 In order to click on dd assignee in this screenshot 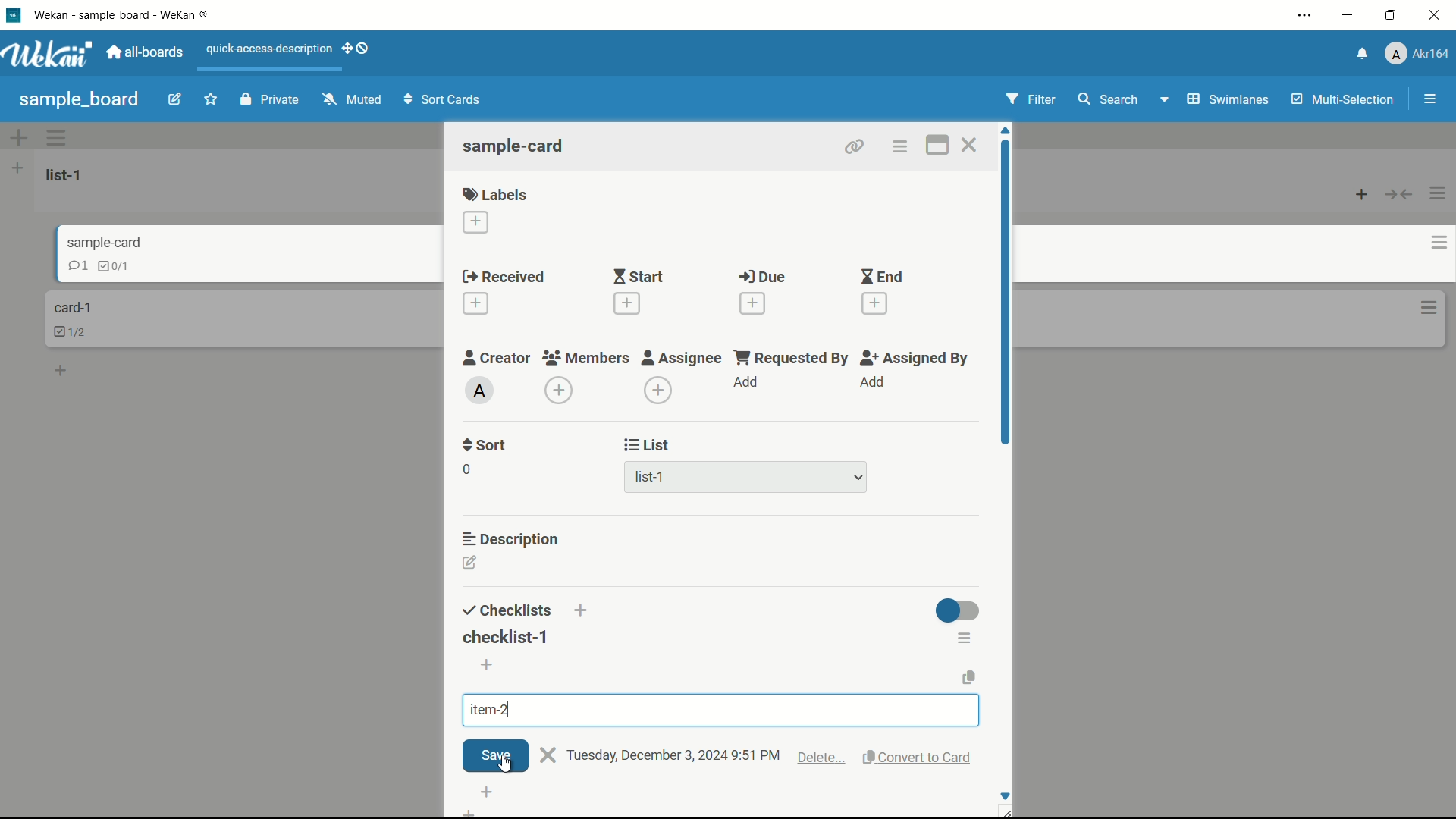, I will do `click(657, 391)`.